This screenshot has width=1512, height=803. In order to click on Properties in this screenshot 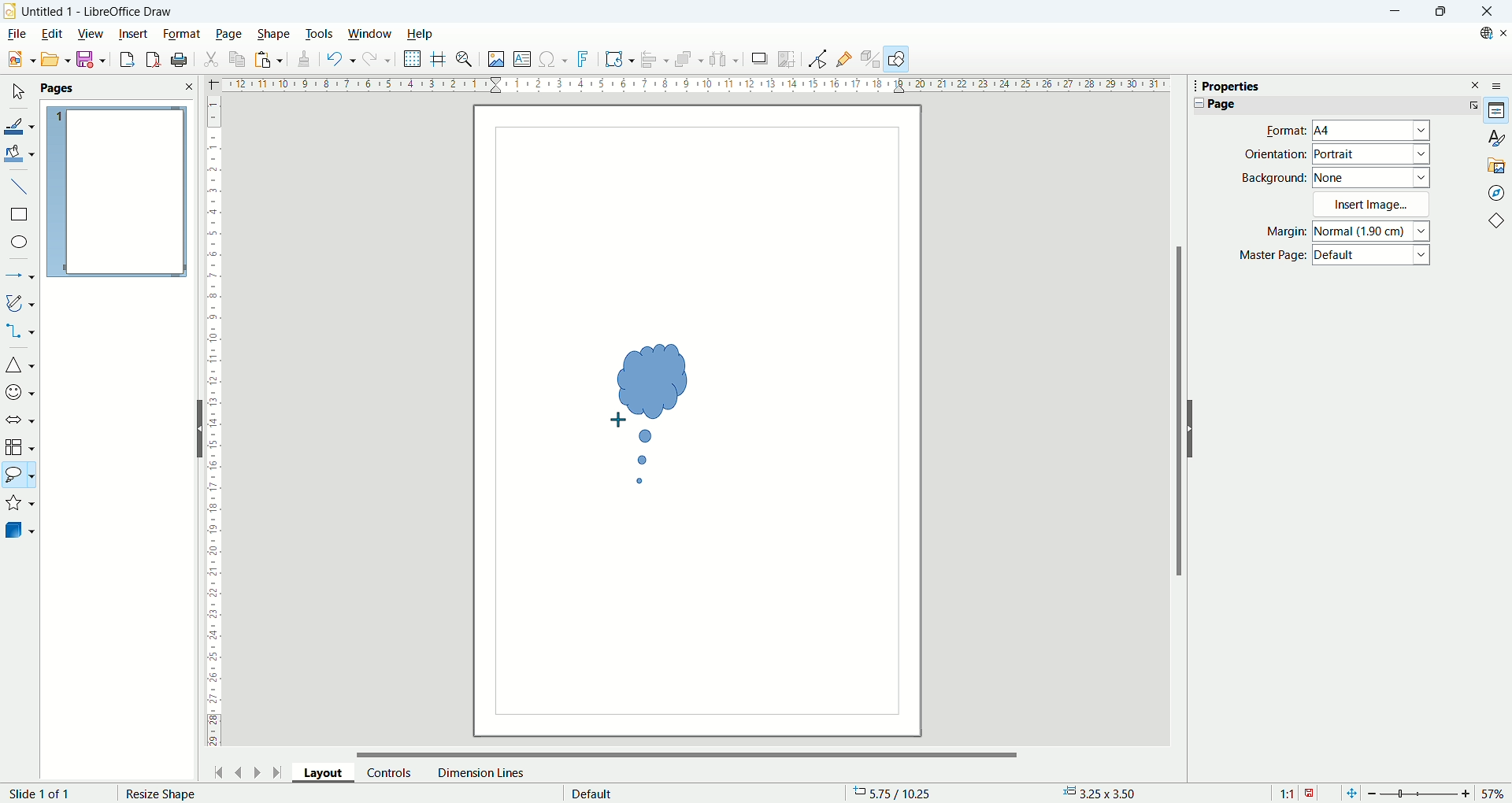, I will do `click(1231, 87)`.